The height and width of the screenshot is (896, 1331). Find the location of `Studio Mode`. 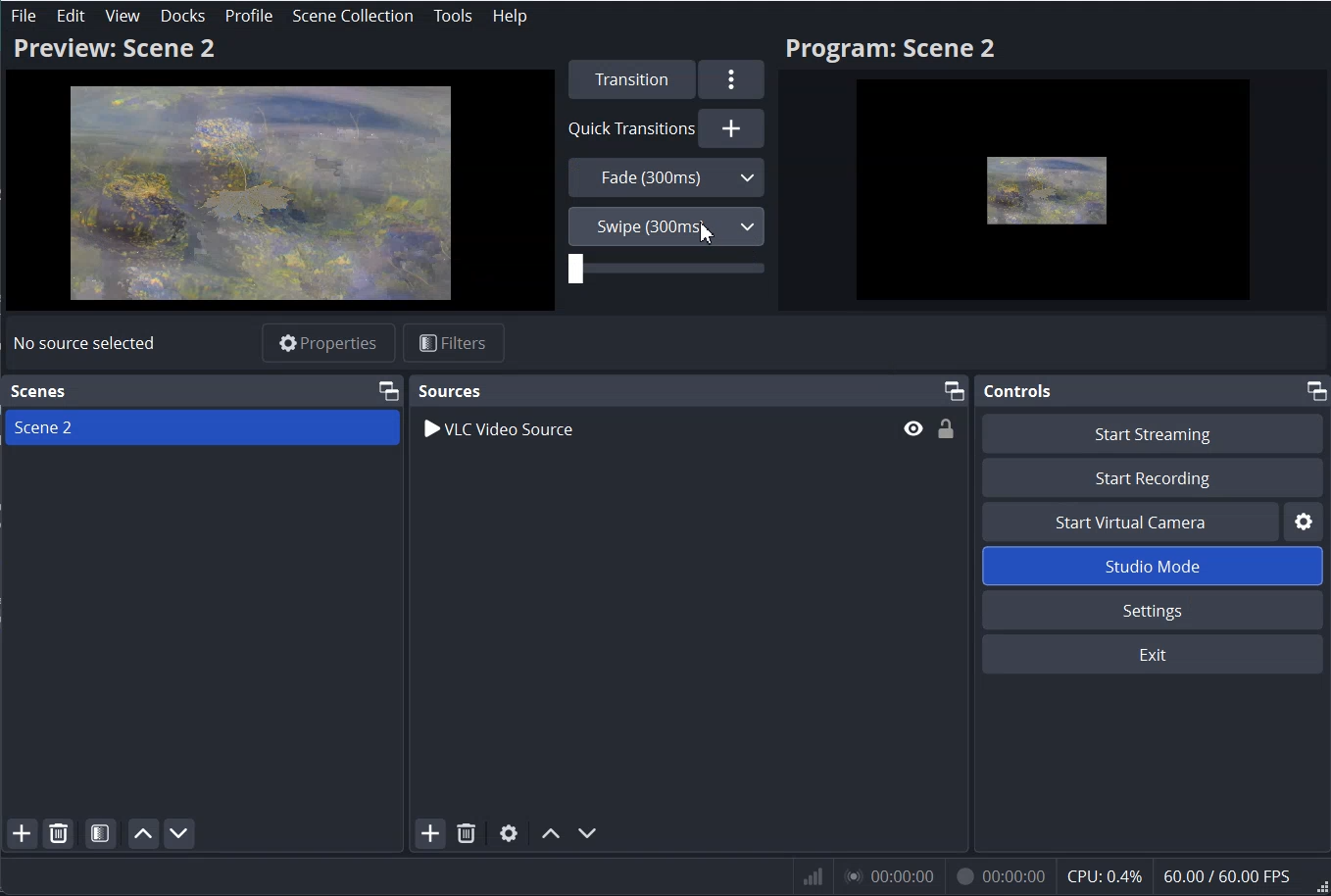

Studio Mode is located at coordinates (1156, 565).